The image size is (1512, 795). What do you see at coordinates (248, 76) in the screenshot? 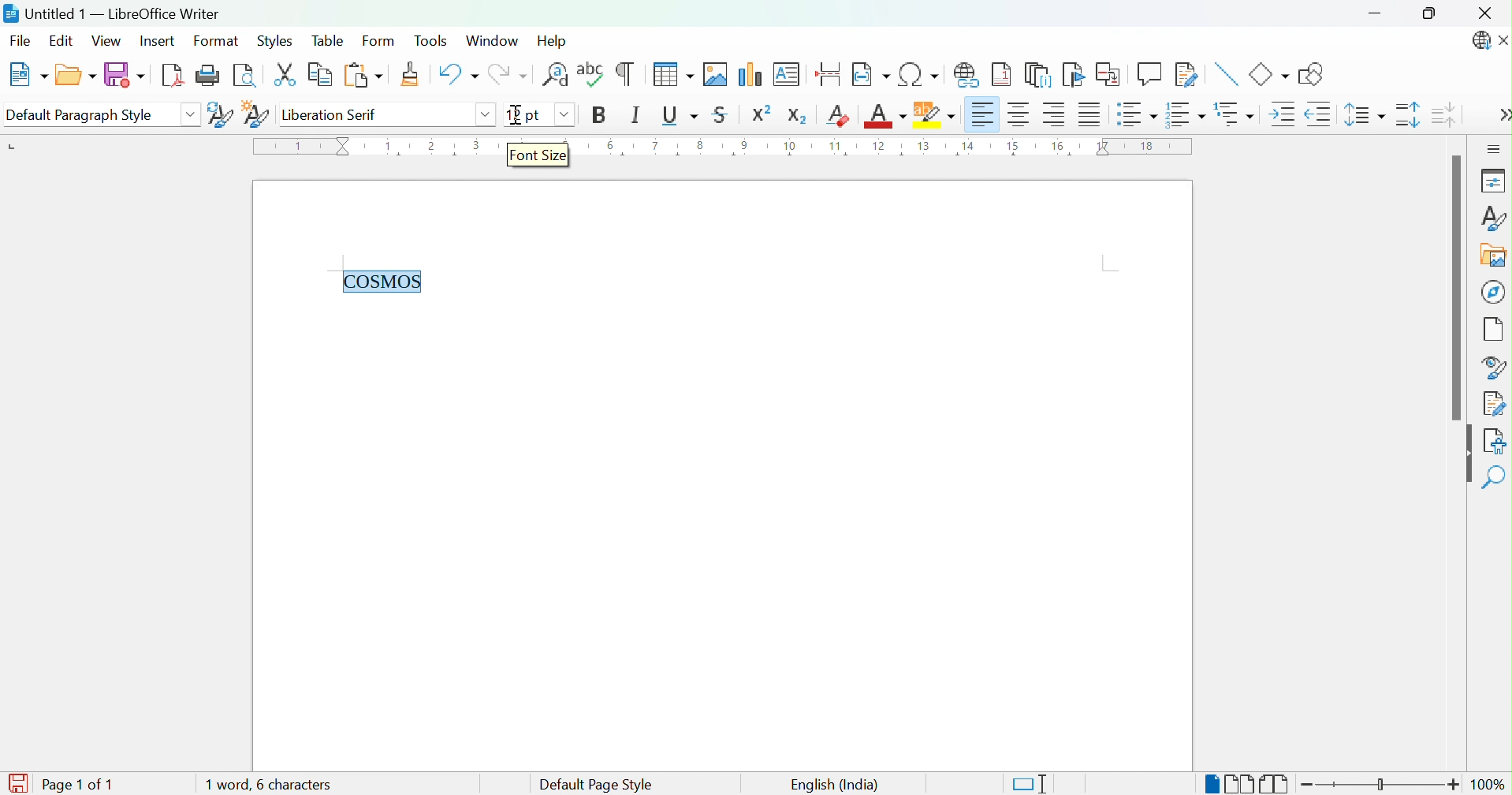
I see `Toggle Print Preview` at bounding box center [248, 76].